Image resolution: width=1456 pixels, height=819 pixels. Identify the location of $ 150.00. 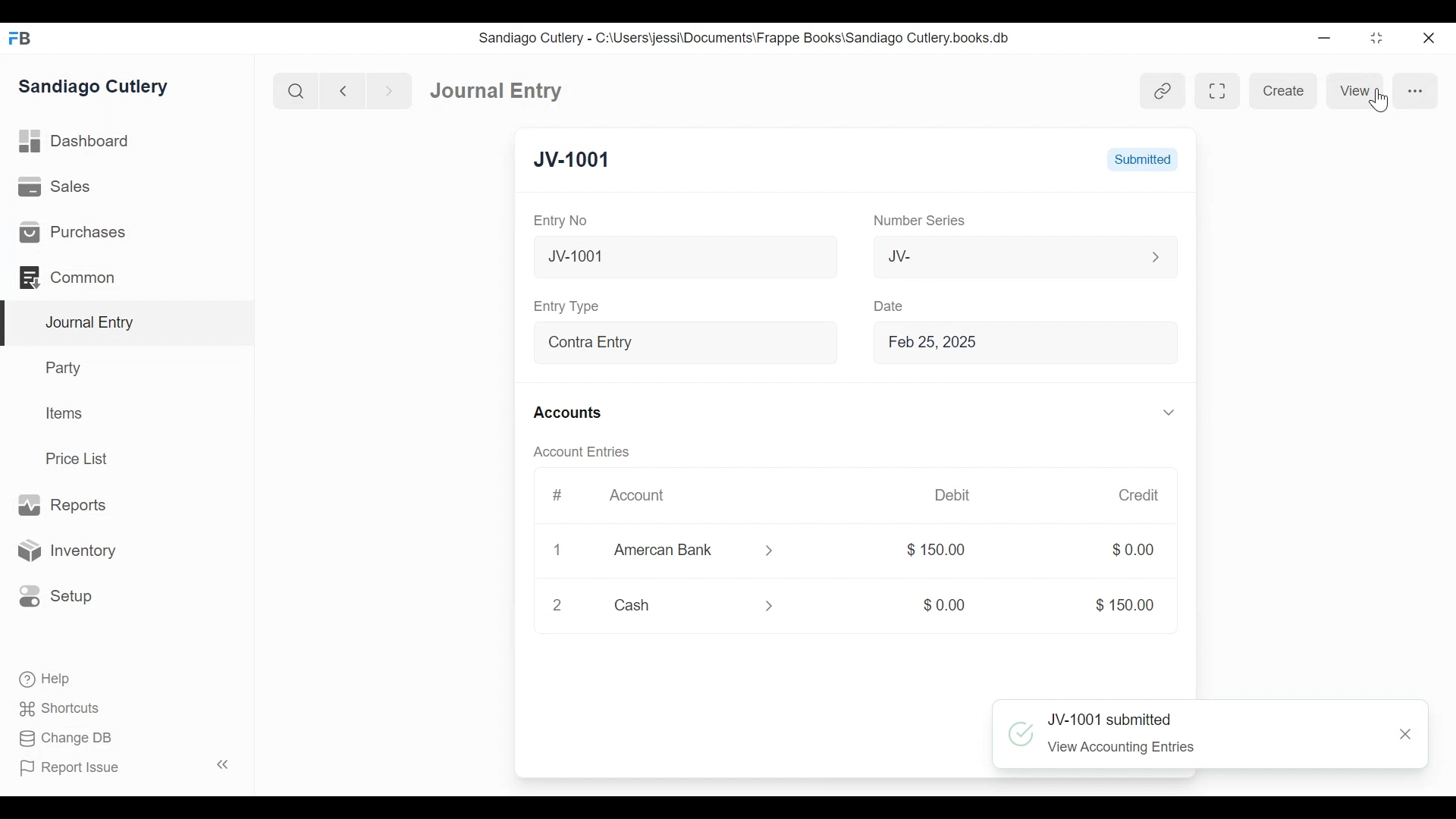
(931, 551).